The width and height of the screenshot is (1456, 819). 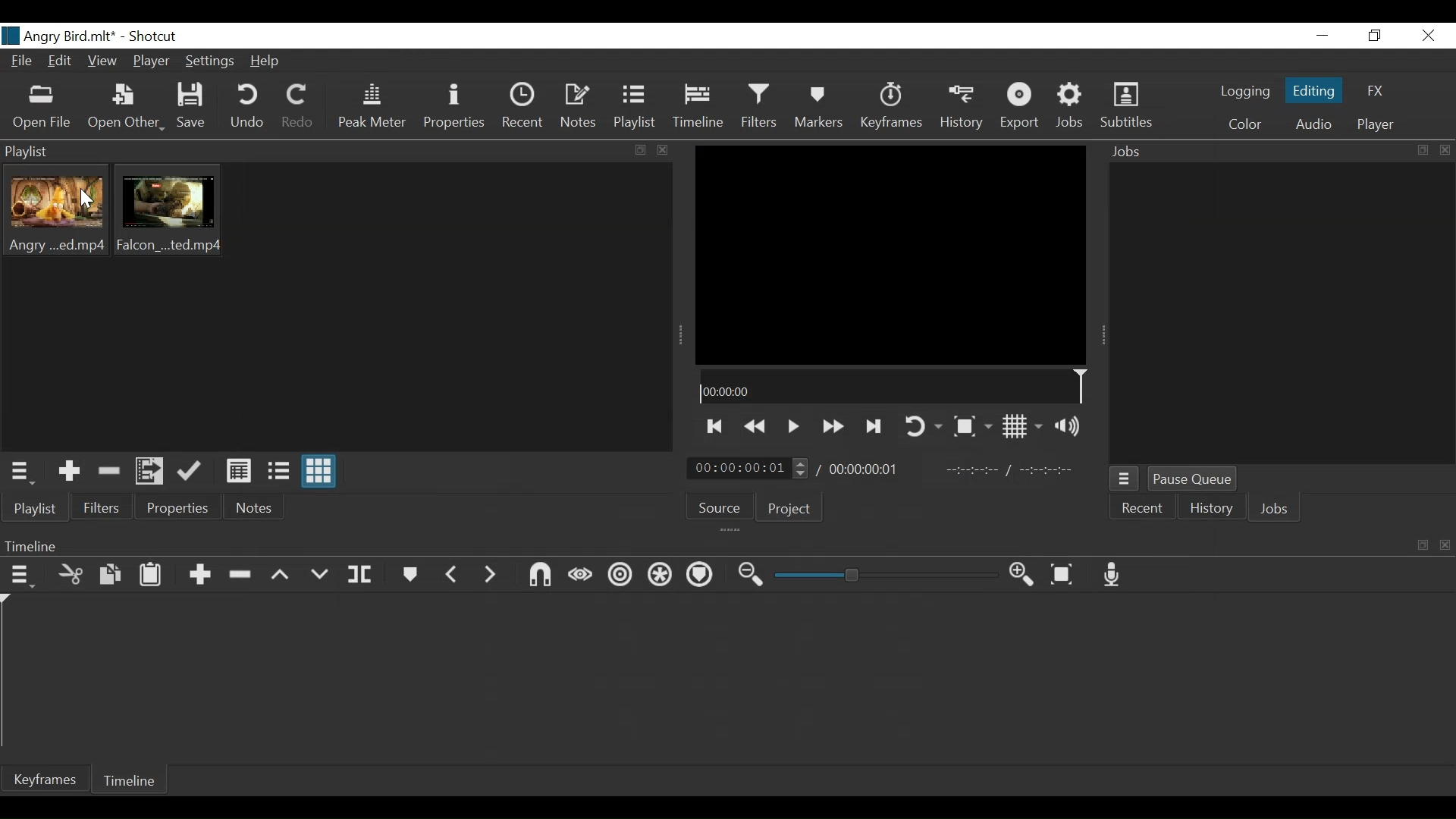 I want to click on Clip, so click(x=55, y=212).